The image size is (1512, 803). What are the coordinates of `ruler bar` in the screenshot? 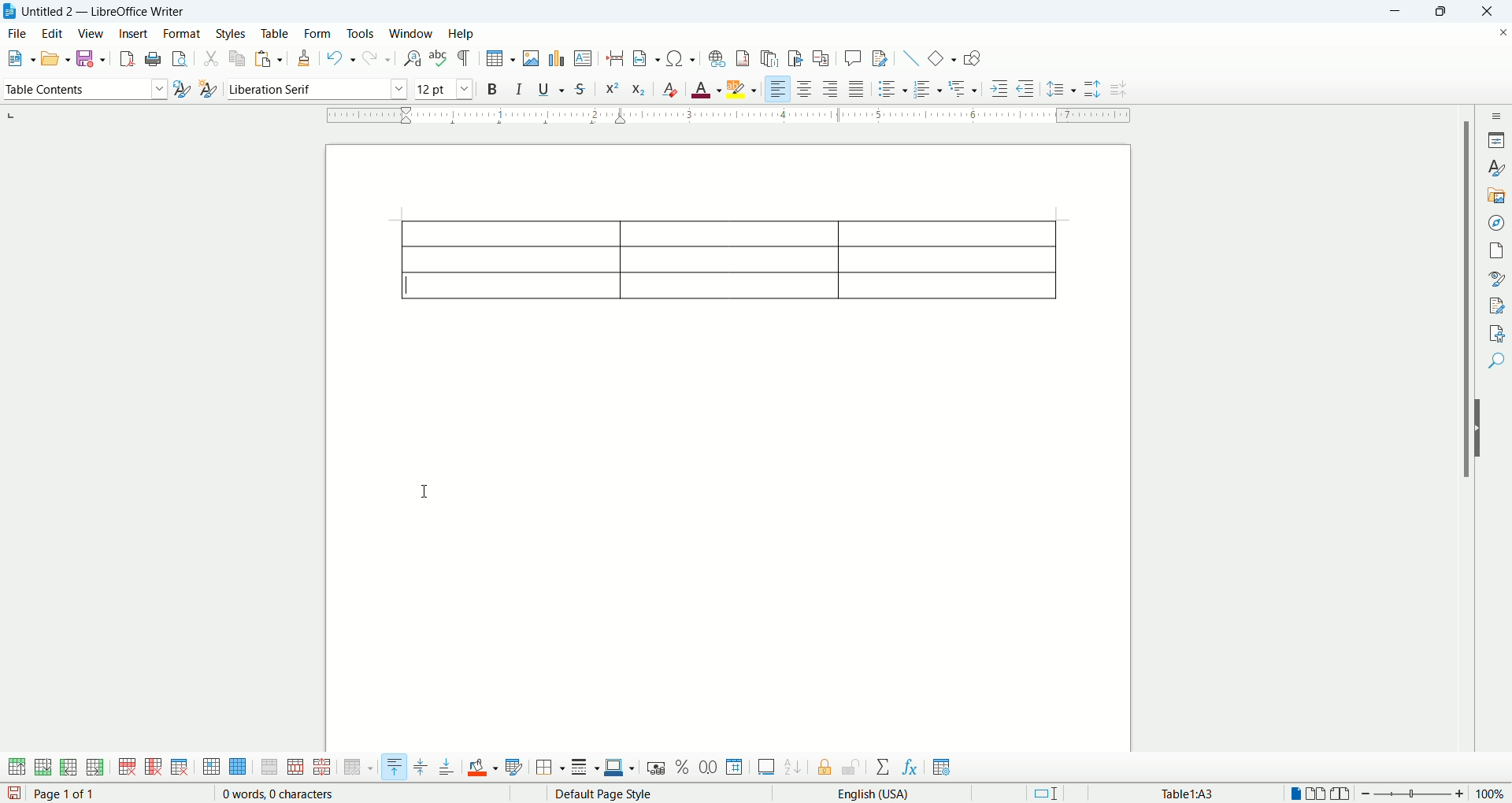 It's located at (738, 118).